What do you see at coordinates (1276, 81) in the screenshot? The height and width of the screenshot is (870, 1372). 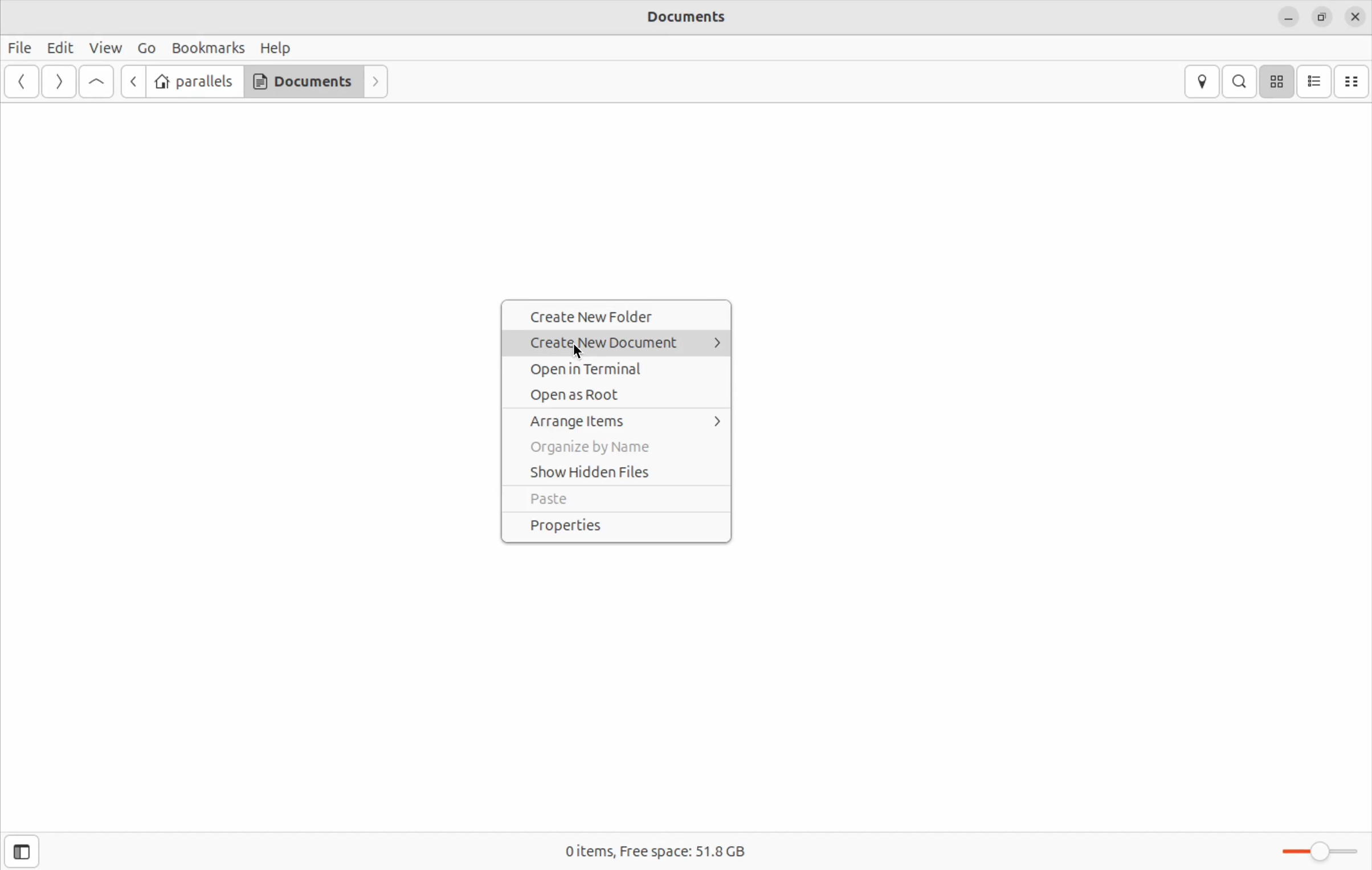 I see `icon view` at bounding box center [1276, 81].